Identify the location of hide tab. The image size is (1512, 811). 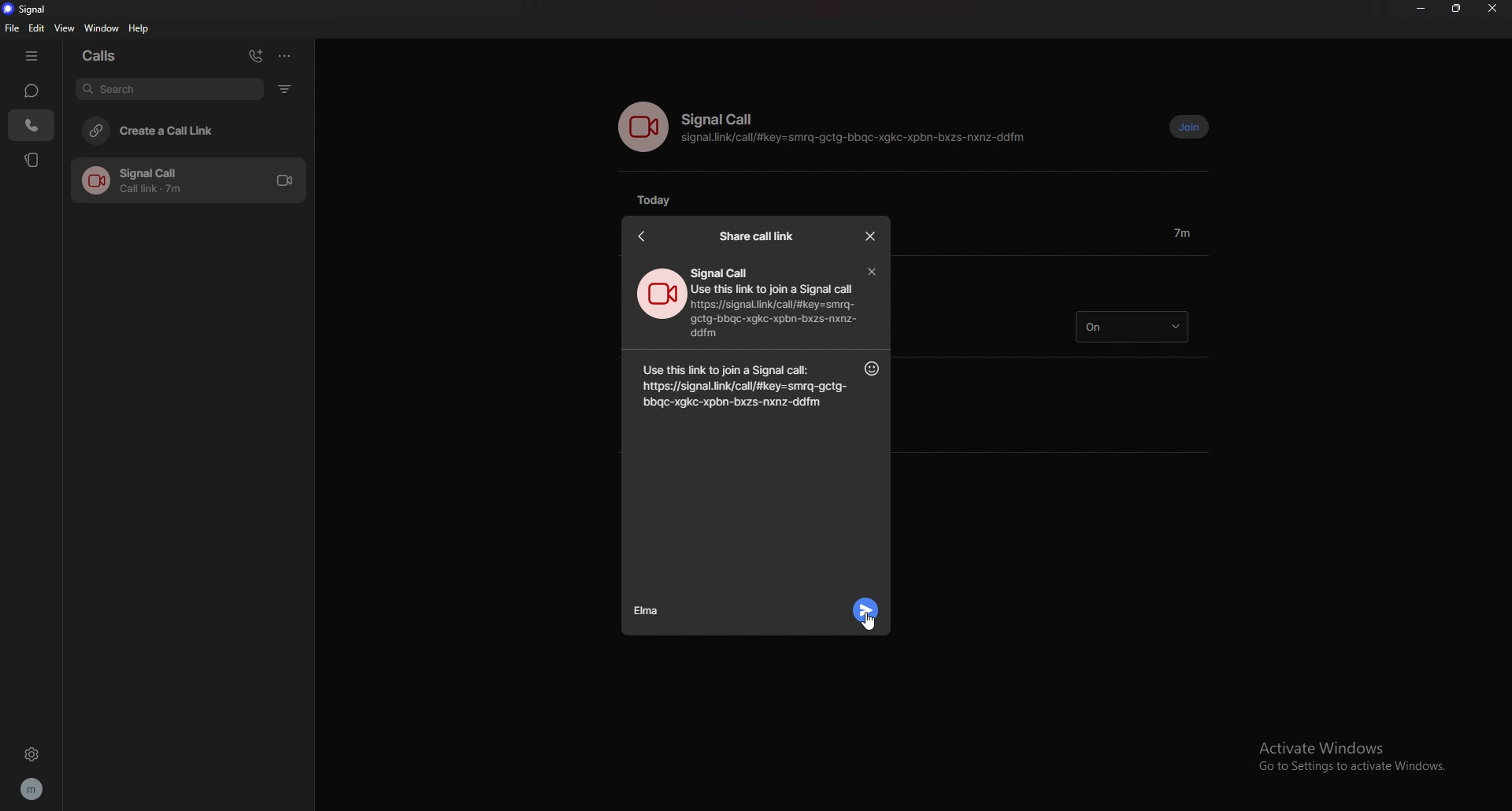
(35, 56).